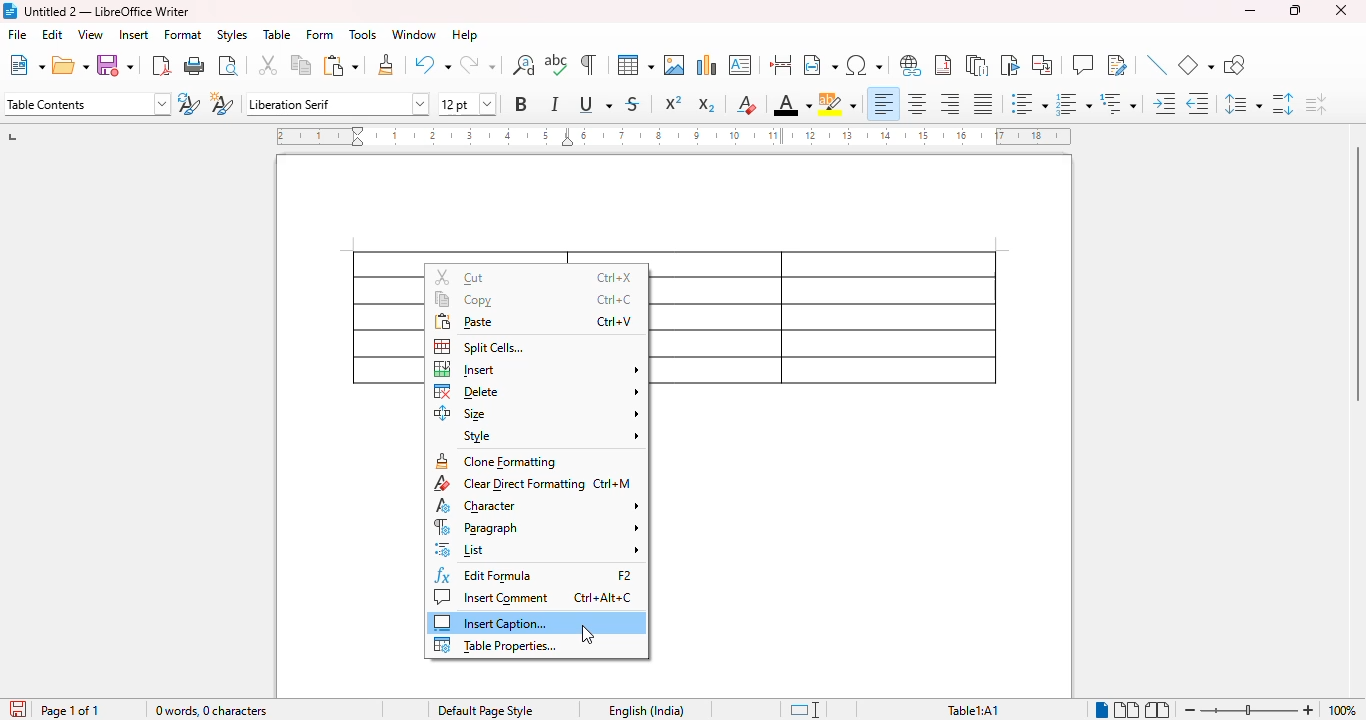  Describe the element at coordinates (537, 505) in the screenshot. I see `character` at that location.